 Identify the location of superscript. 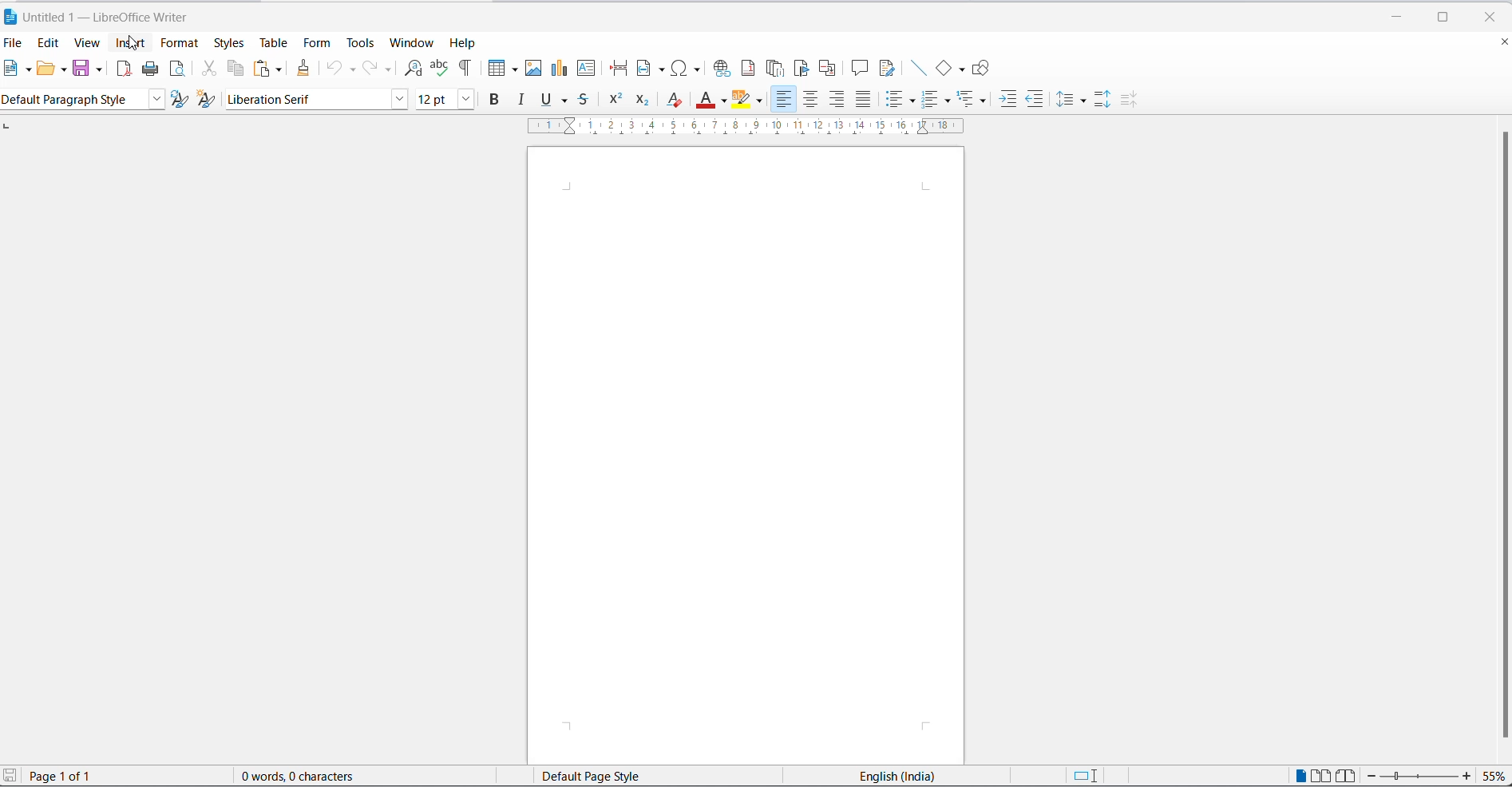
(615, 98).